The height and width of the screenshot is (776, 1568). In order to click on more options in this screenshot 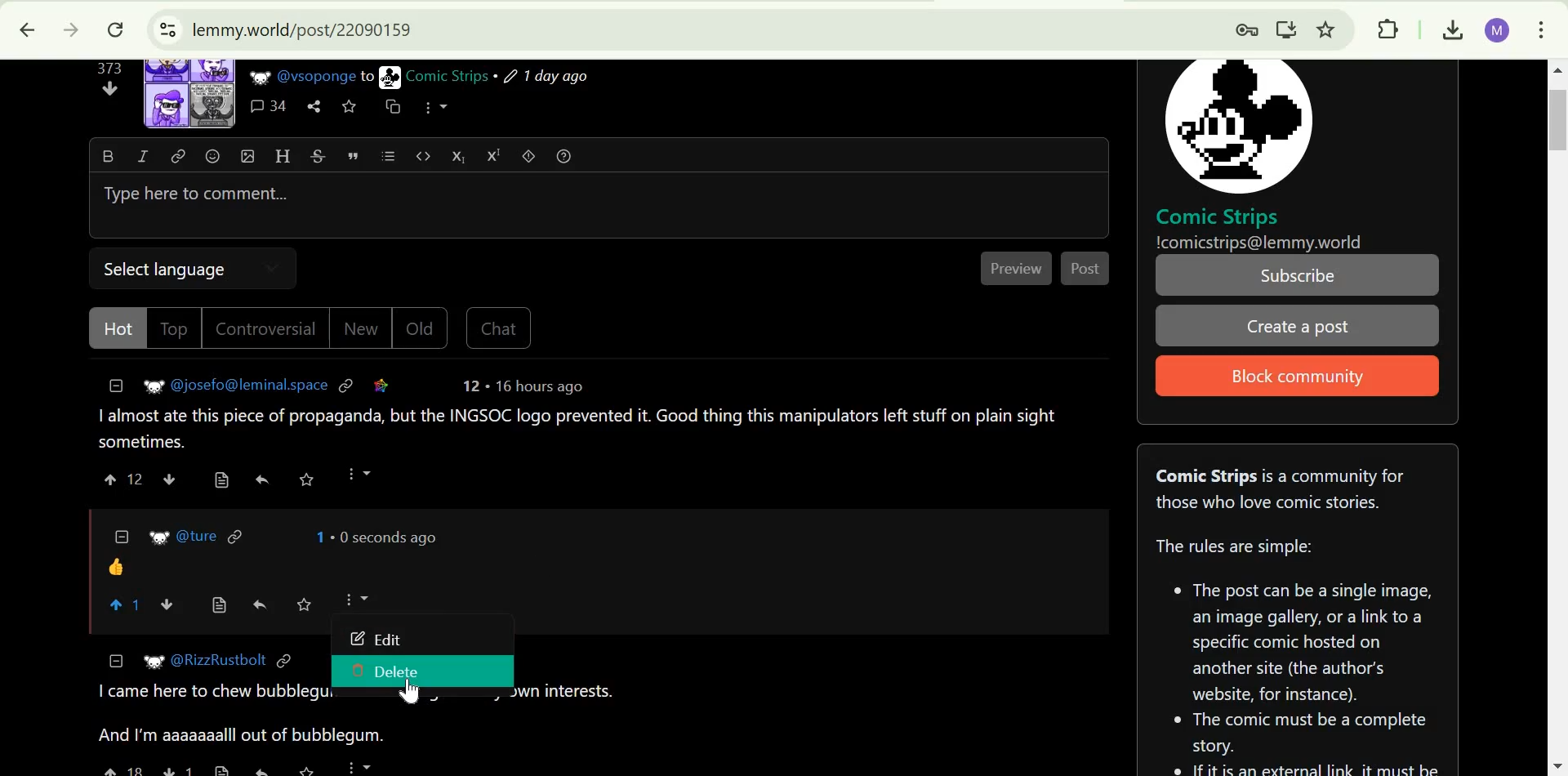, I will do `click(358, 474)`.